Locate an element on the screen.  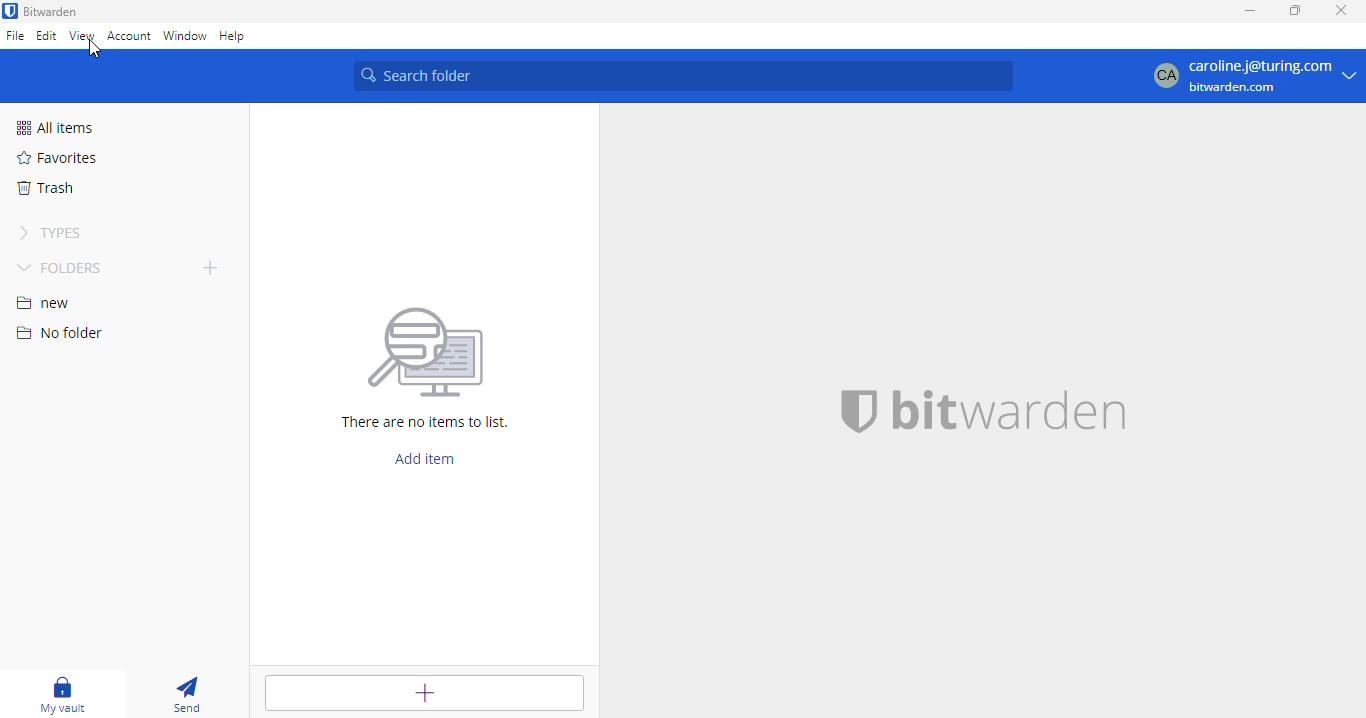
minimize is located at coordinates (1252, 10).